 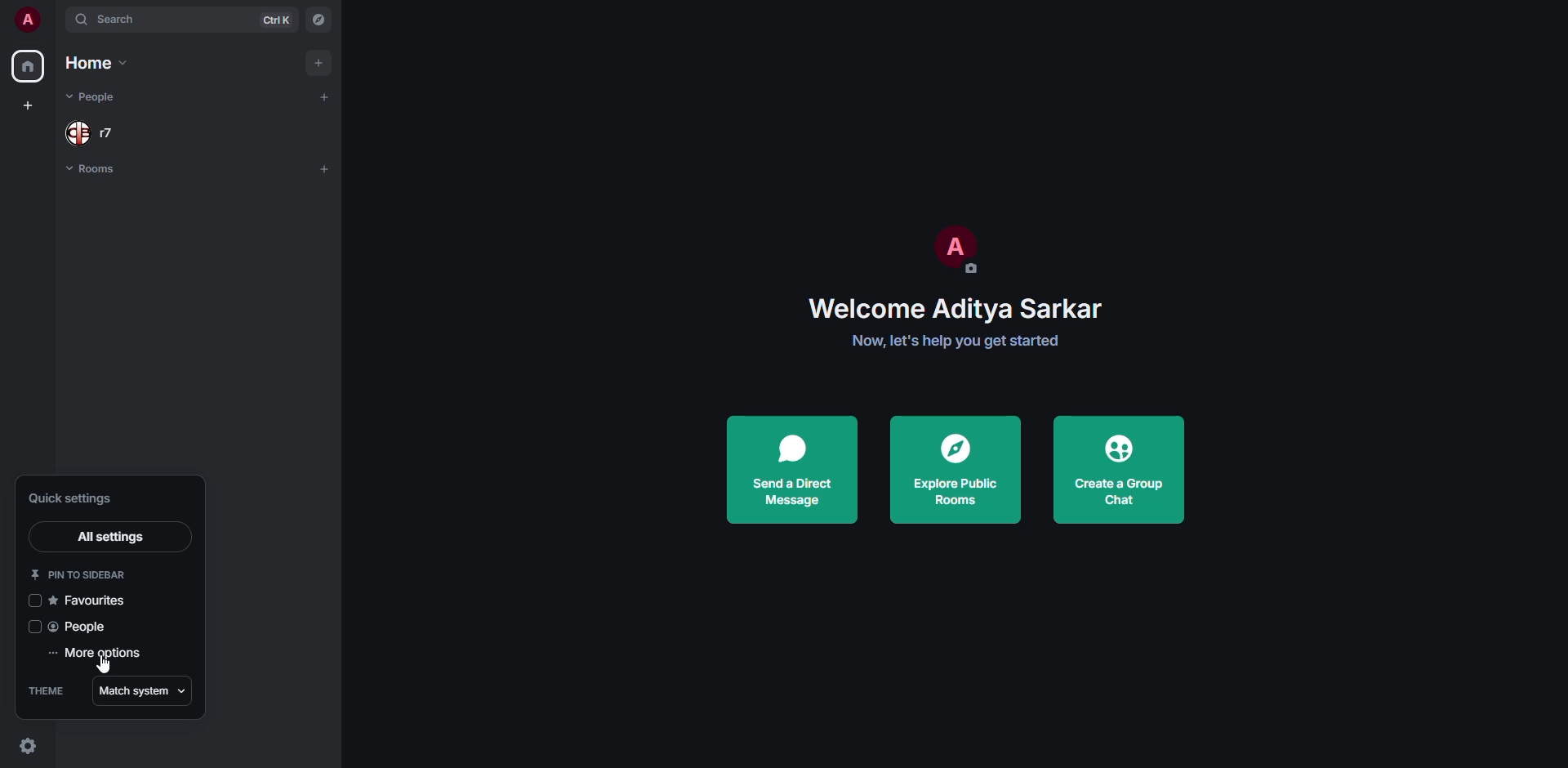 I want to click on more options, so click(x=99, y=654).